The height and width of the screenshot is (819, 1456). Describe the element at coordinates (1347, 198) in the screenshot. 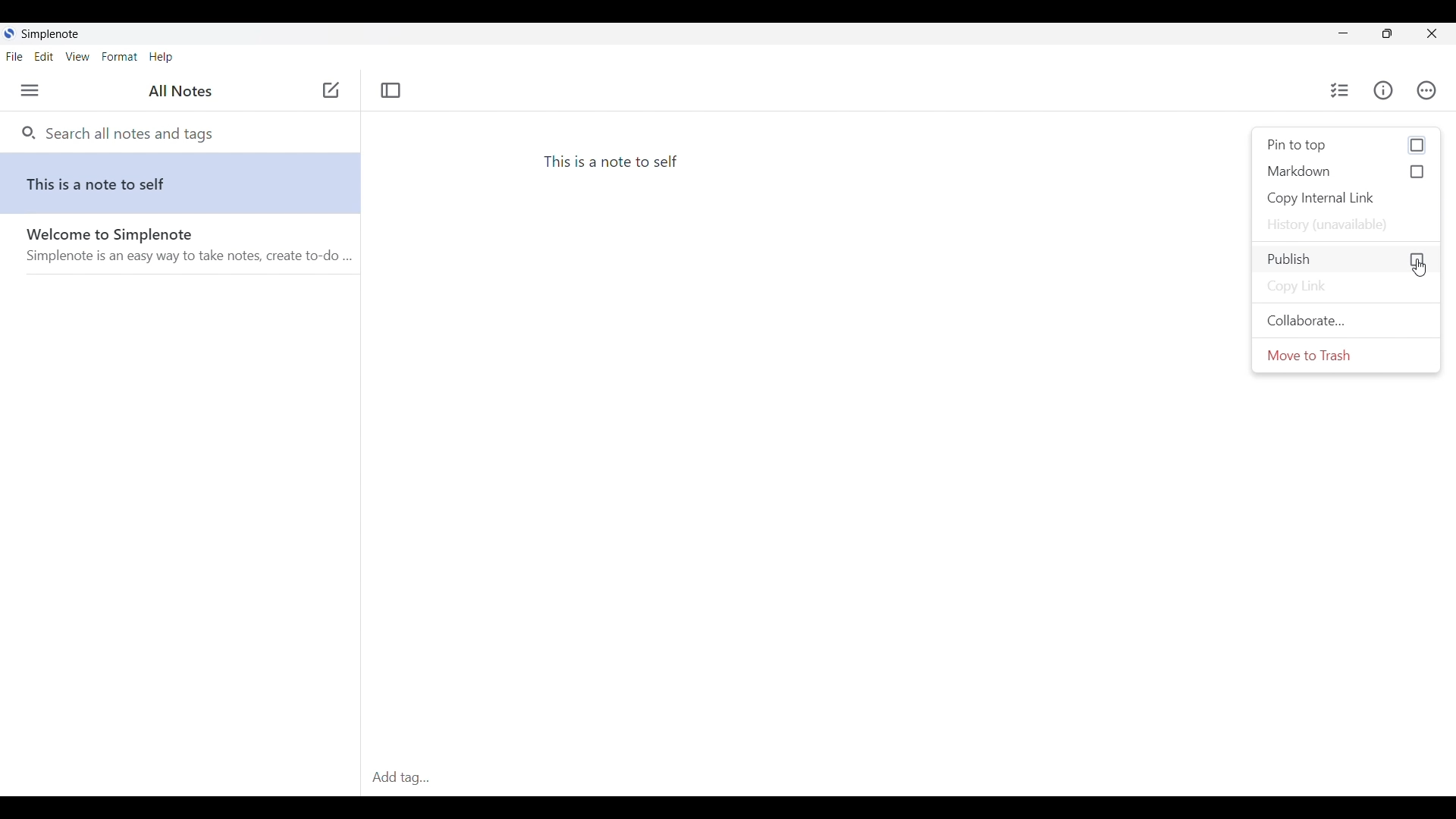

I see `Copy internal link` at that location.